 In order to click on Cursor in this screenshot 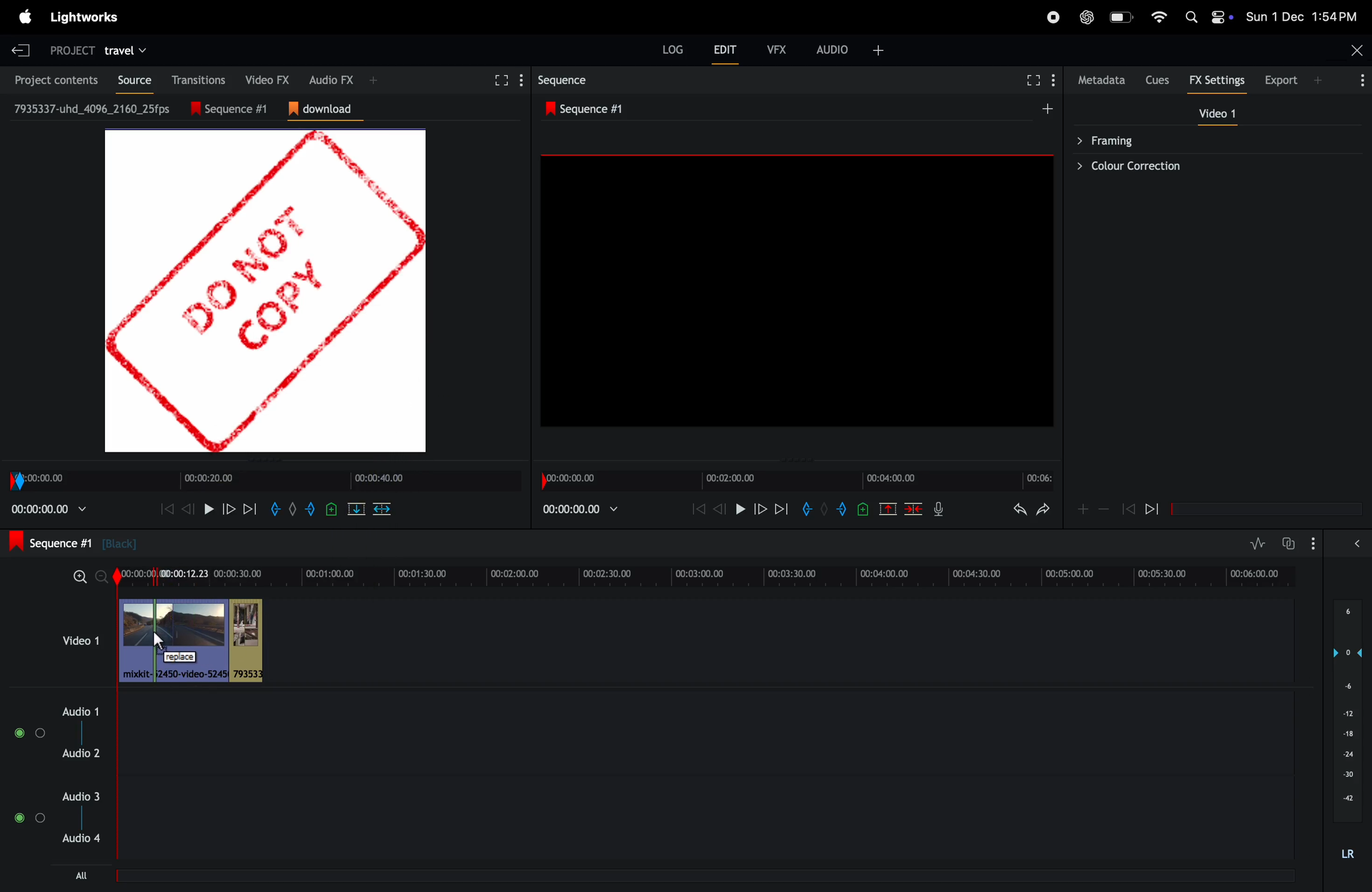, I will do `click(159, 641)`.